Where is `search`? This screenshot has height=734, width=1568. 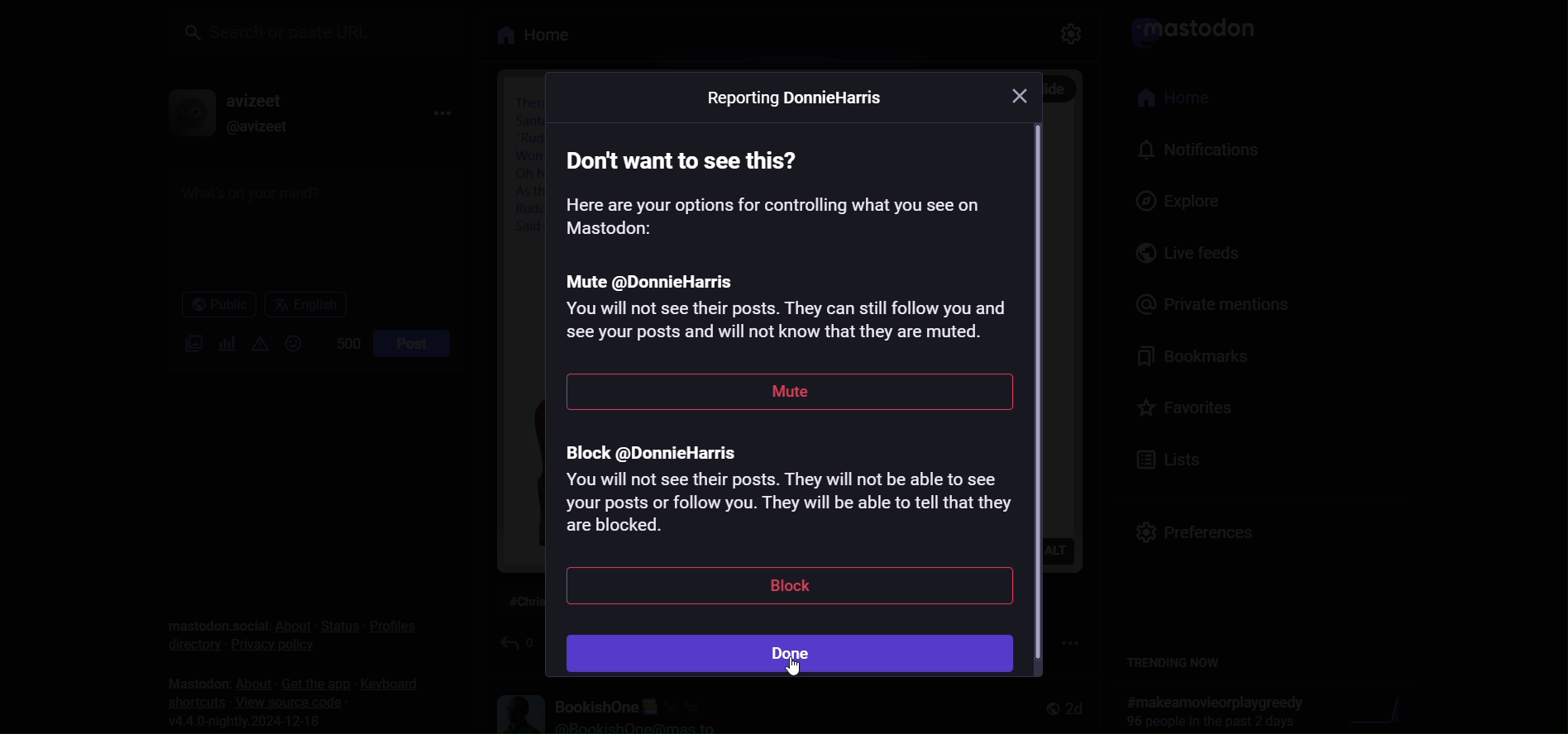
search is located at coordinates (318, 31).